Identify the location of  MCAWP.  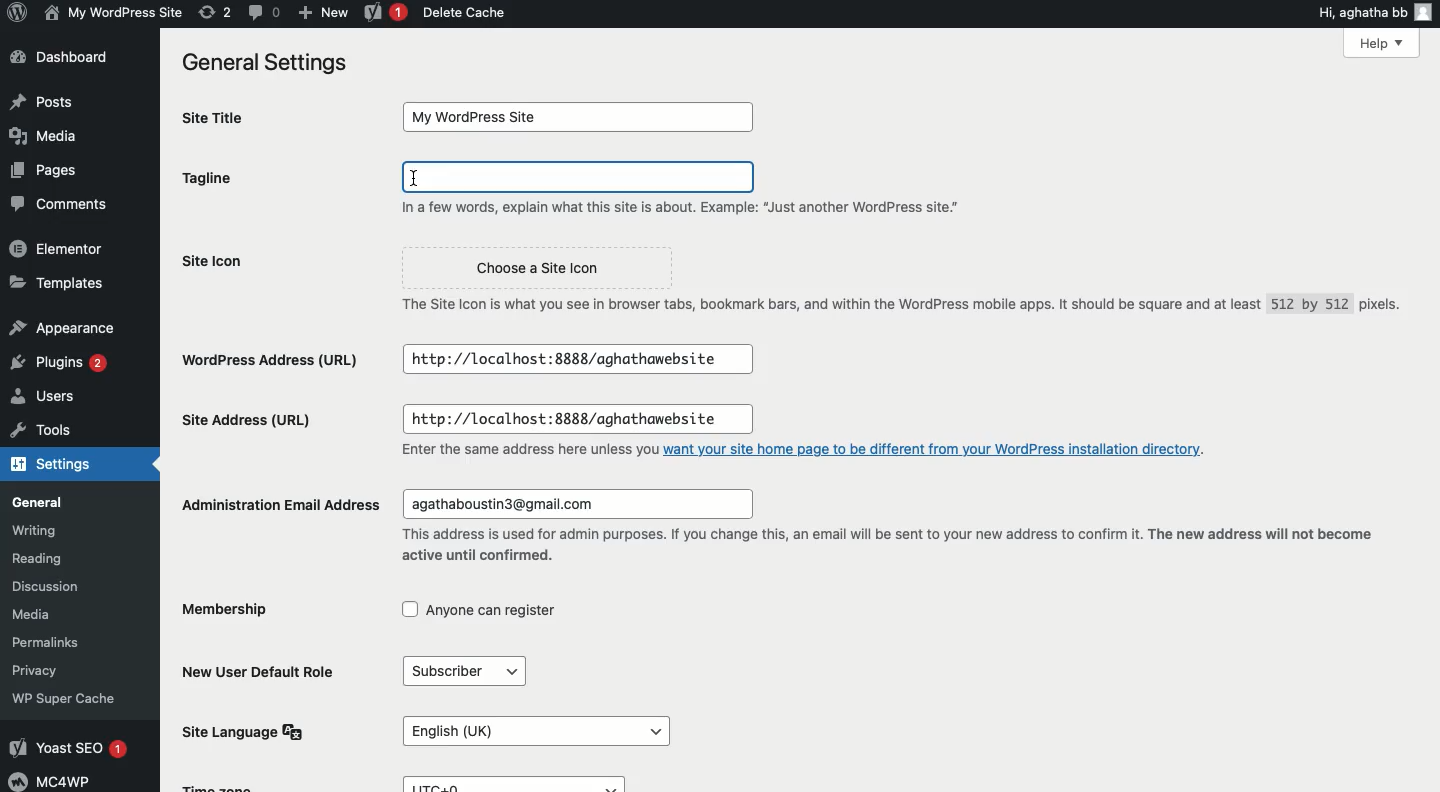
(56, 781).